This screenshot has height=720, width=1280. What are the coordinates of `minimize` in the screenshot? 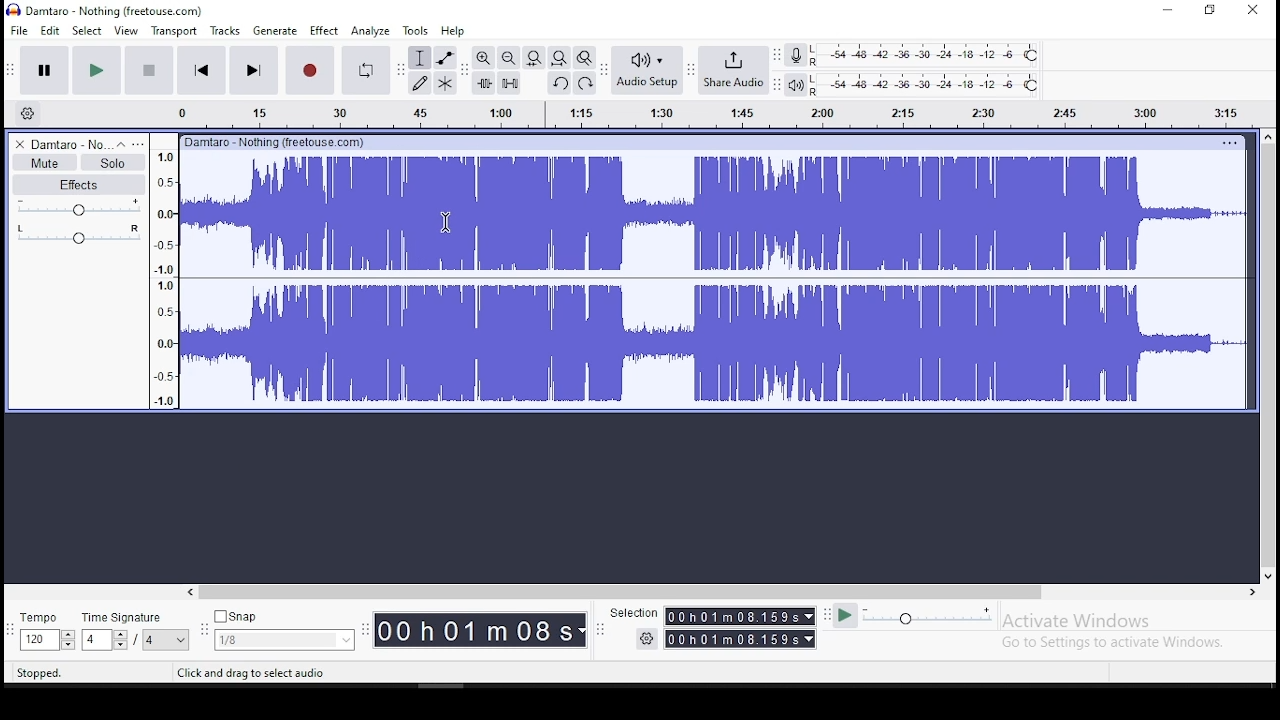 It's located at (1168, 10).